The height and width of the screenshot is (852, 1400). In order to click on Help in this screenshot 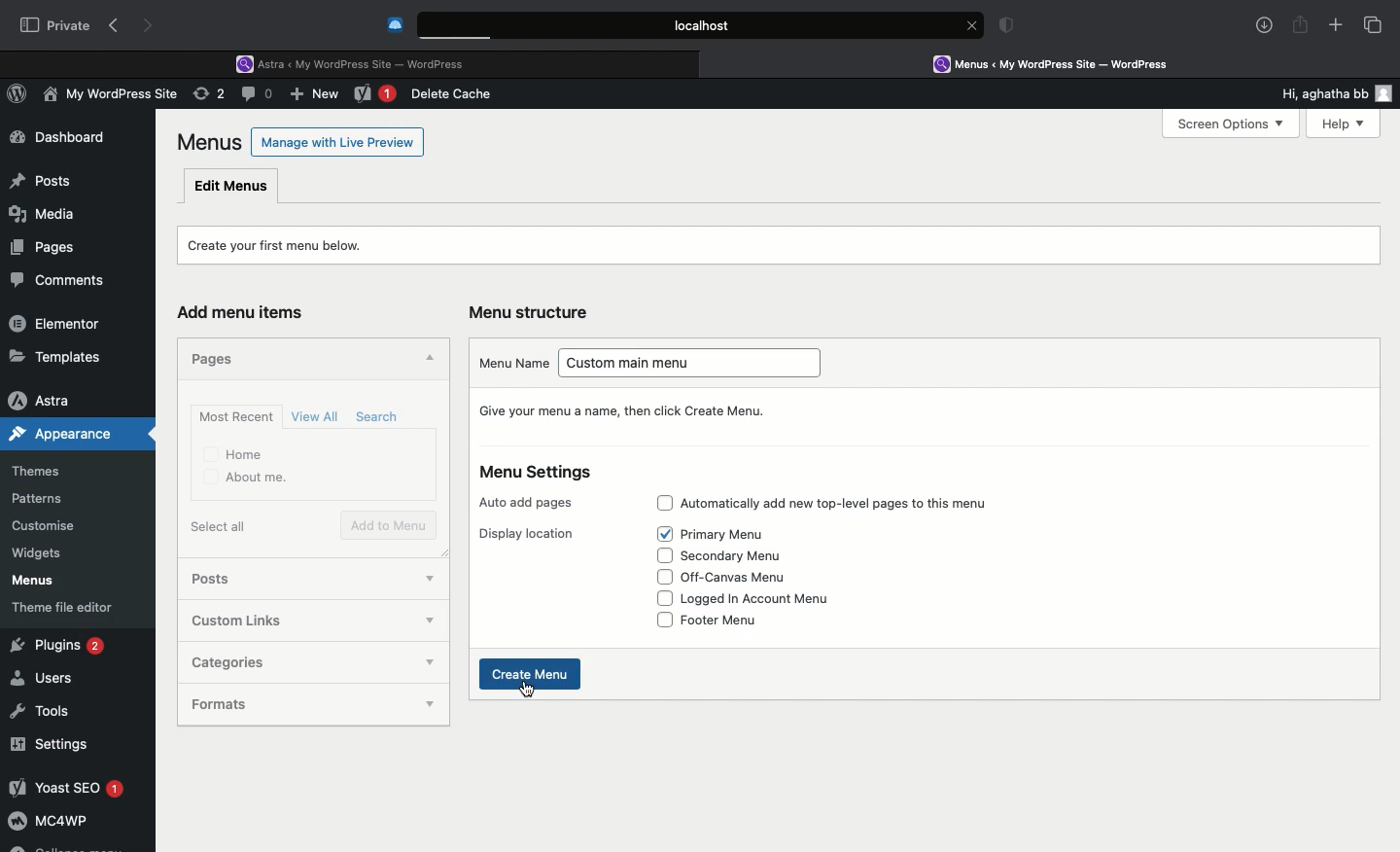, I will do `click(1335, 124)`.